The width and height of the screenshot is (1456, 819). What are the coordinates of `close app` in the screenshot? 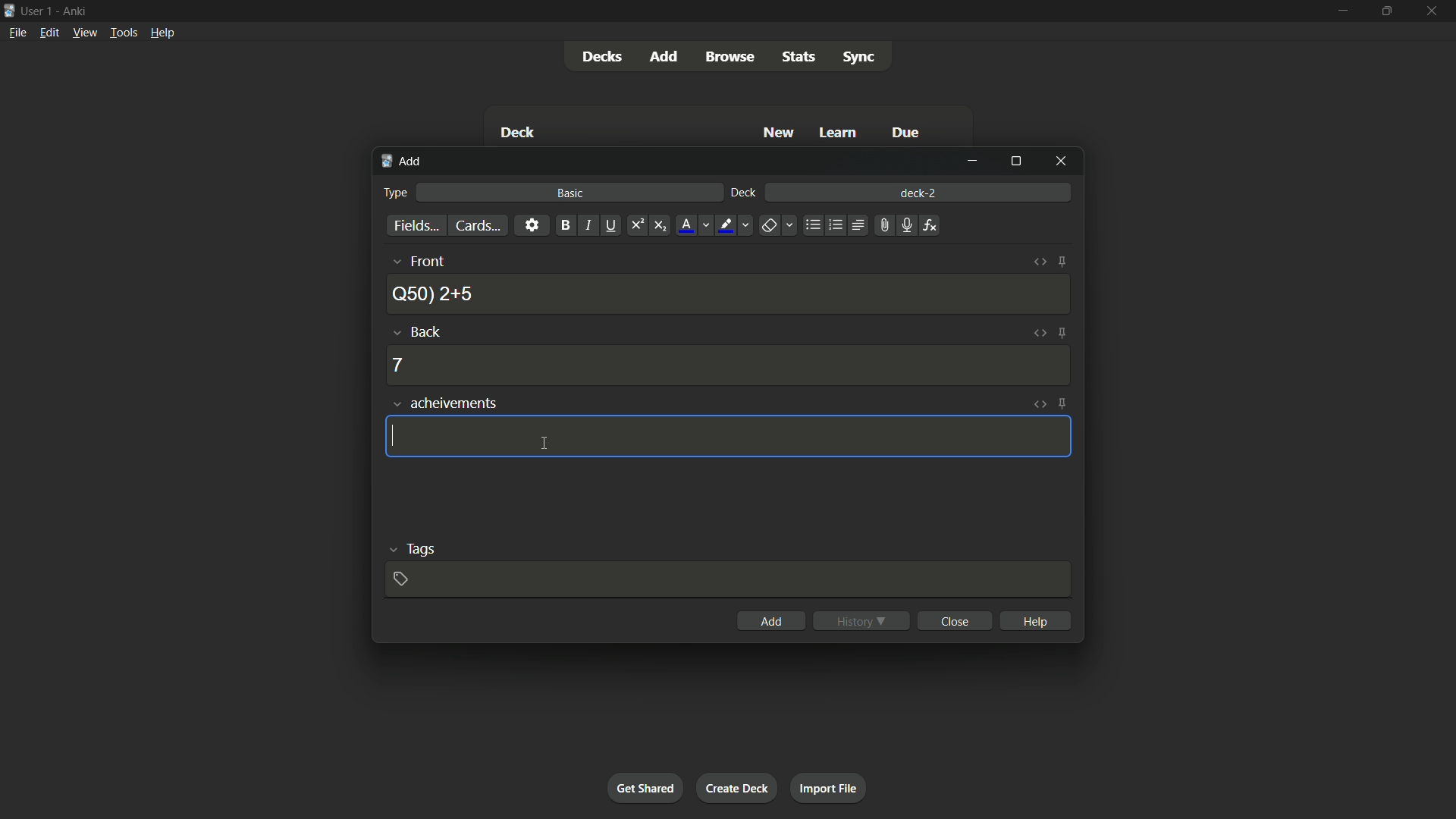 It's located at (1434, 11).